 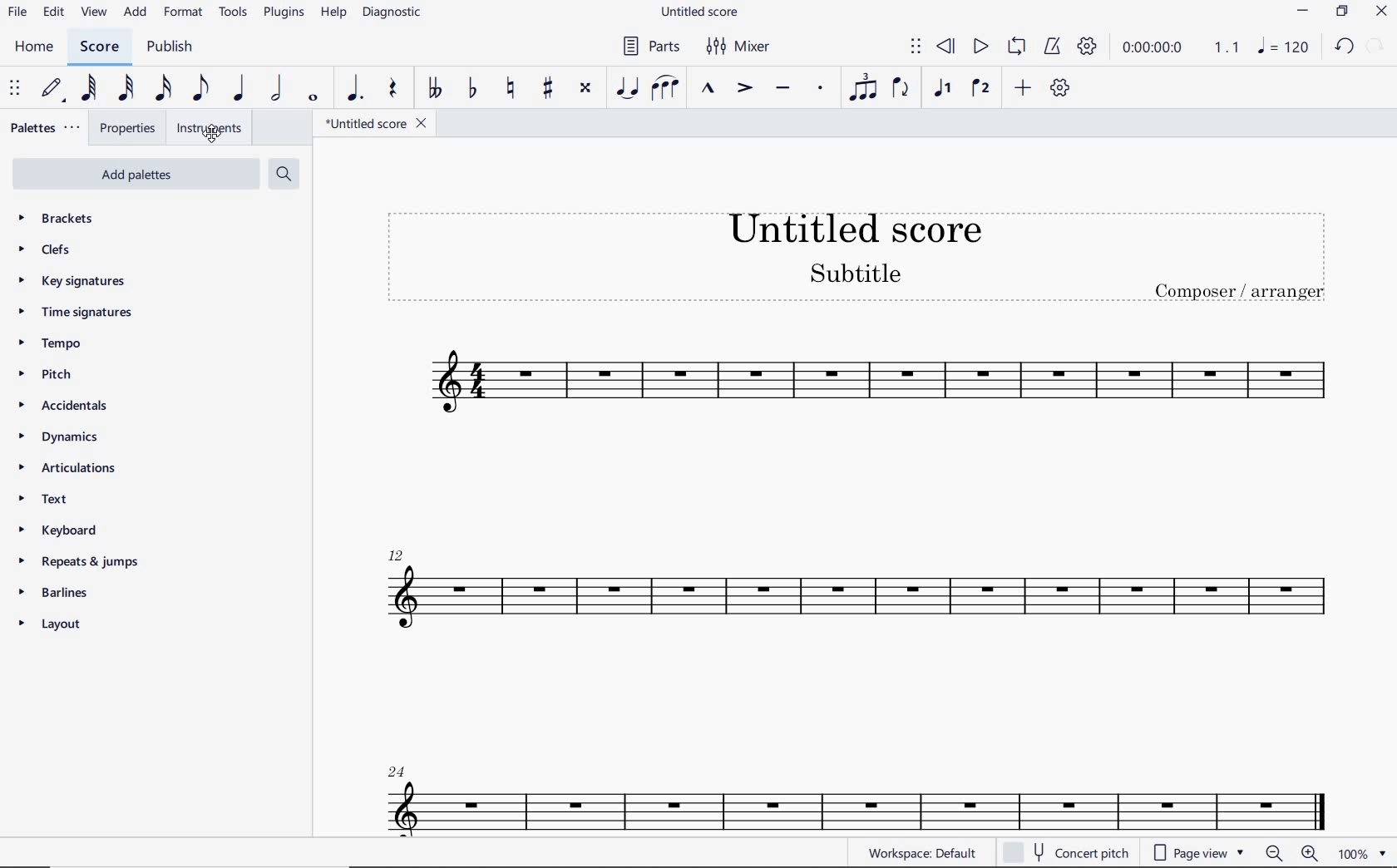 I want to click on text, so click(x=42, y=496).